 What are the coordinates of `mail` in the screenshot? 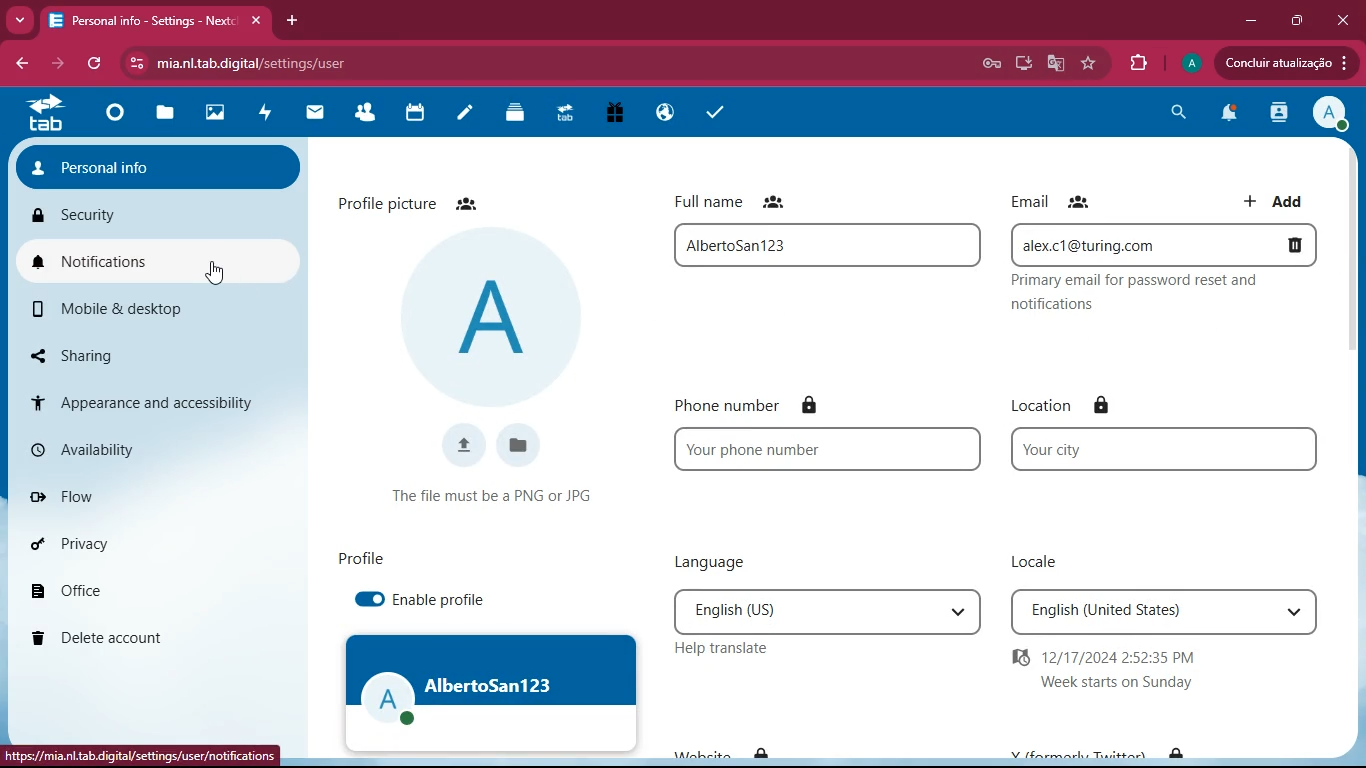 It's located at (316, 114).